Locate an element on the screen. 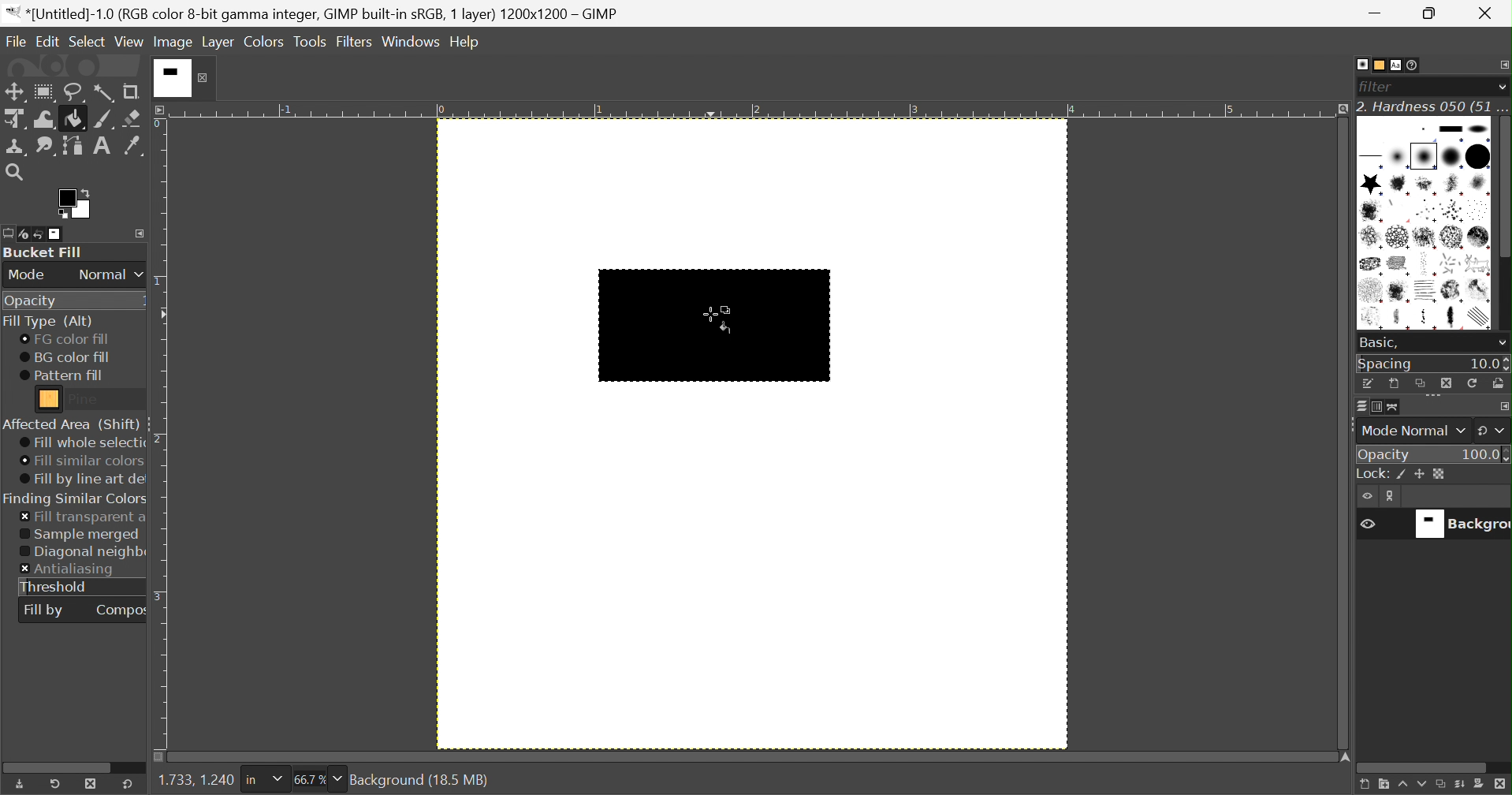 The width and height of the screenshot is (1512, 795). Undo History is located at coordinates (39, 236).